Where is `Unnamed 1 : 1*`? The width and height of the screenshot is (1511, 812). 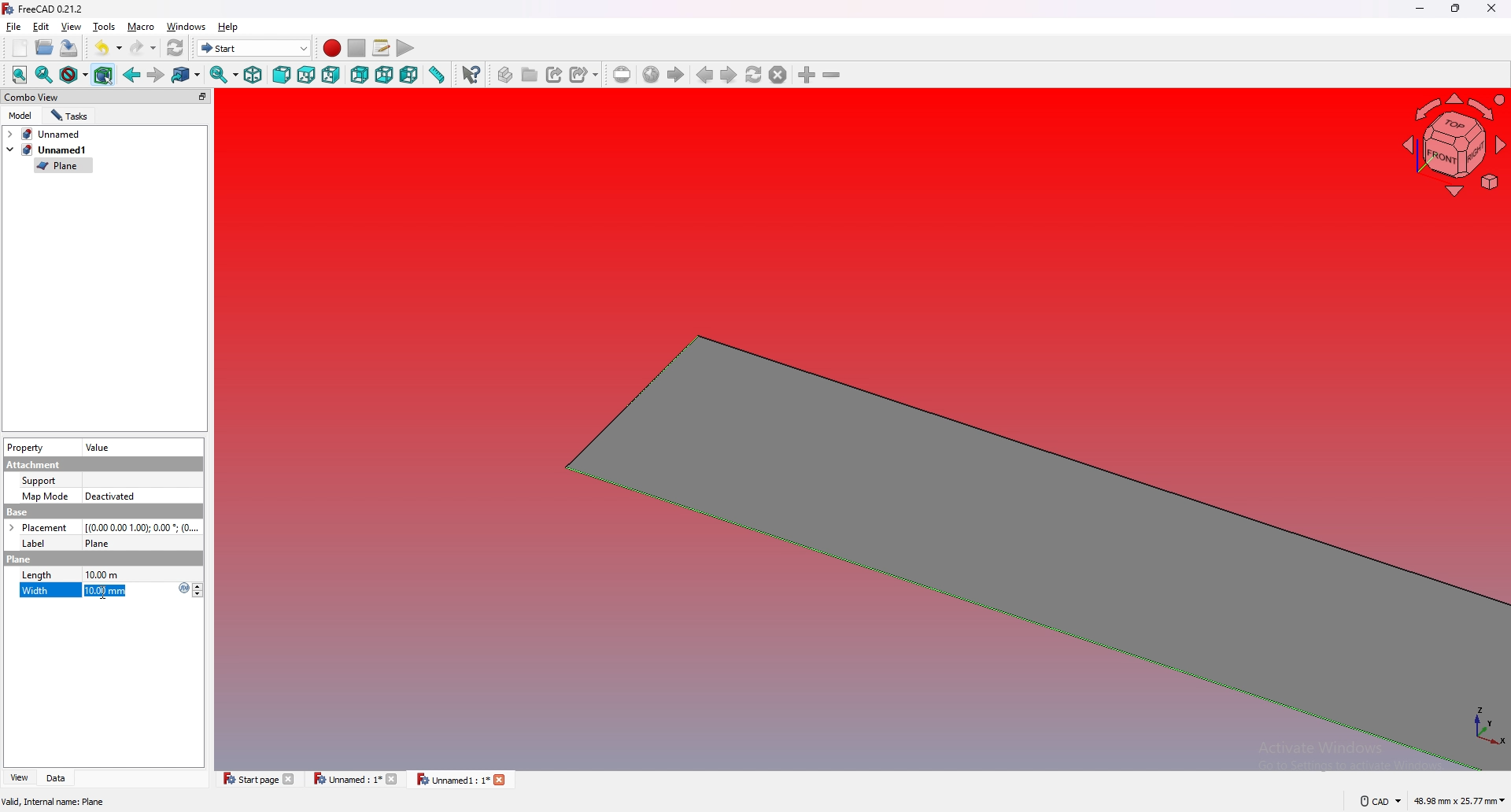 Unnamed 1 : 1* is located at coordinates (461, 781).